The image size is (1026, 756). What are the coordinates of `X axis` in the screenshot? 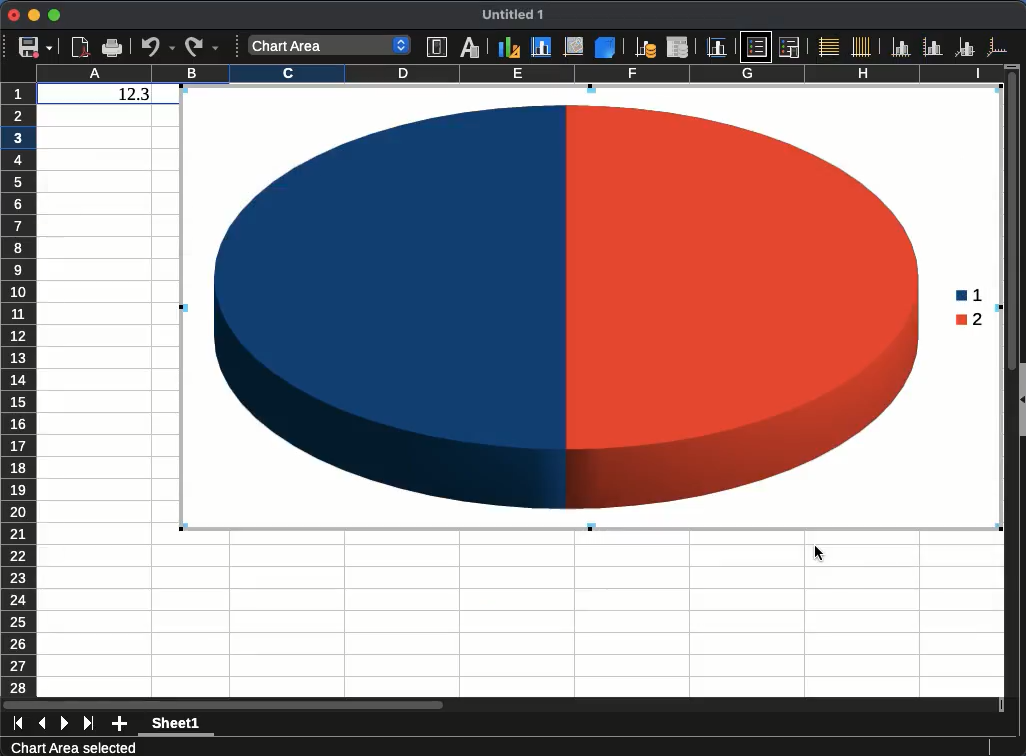 It's located at (901, 47).